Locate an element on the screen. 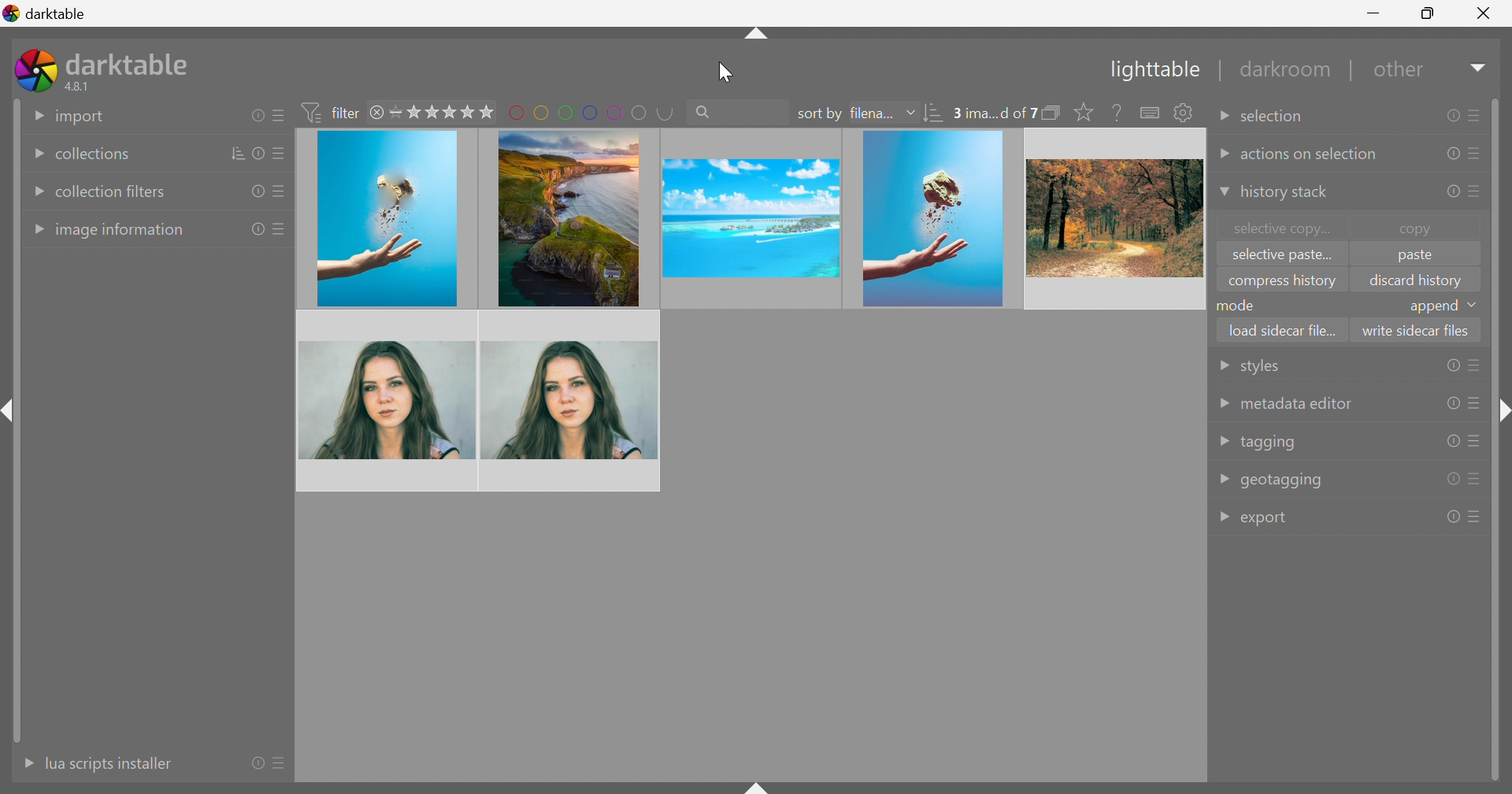 This screenshot has height=794, width=1512. reset is located at coordinates (1452, 403).